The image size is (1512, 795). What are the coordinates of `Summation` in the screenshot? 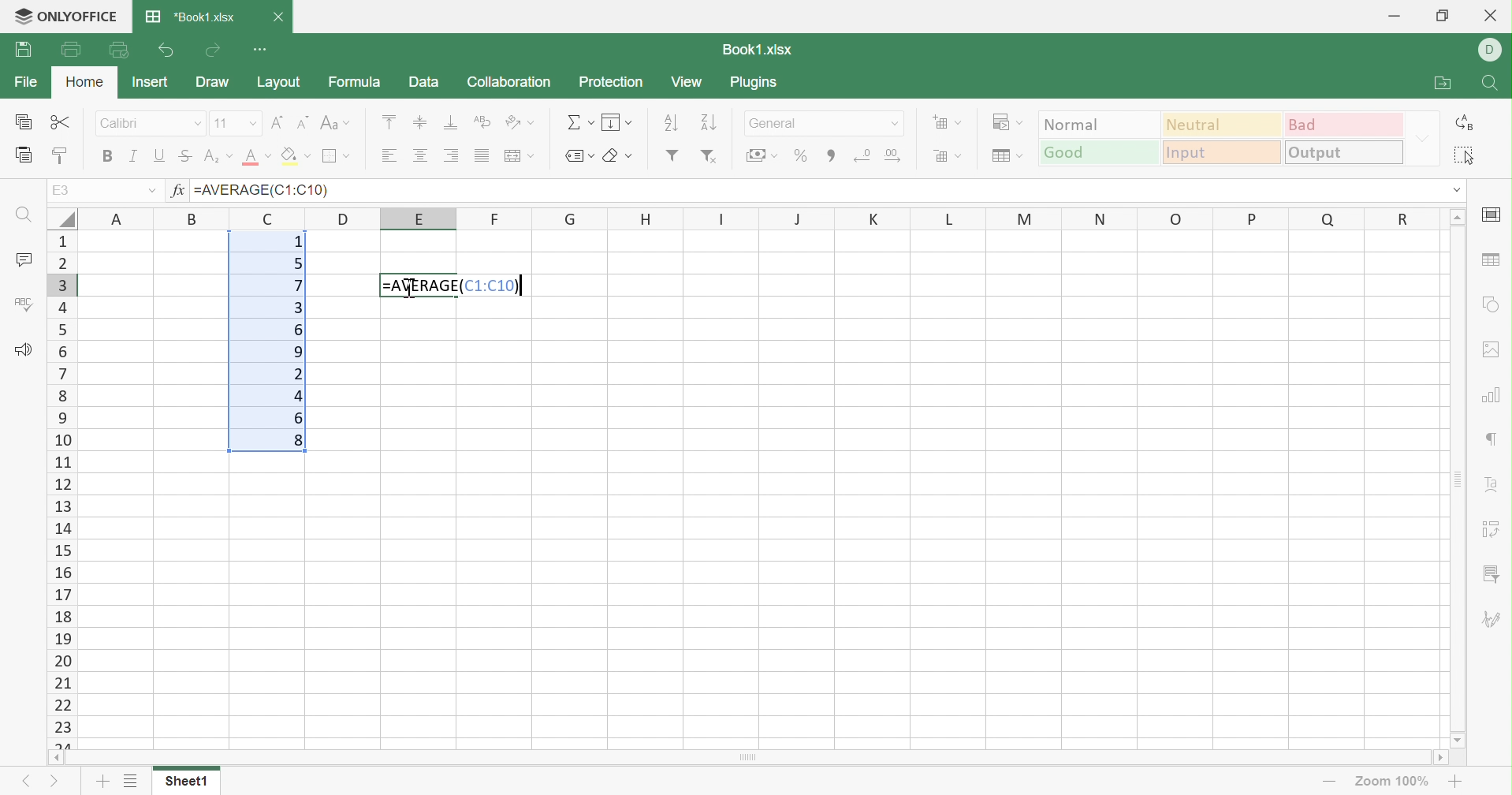 It's located at (579, 121).